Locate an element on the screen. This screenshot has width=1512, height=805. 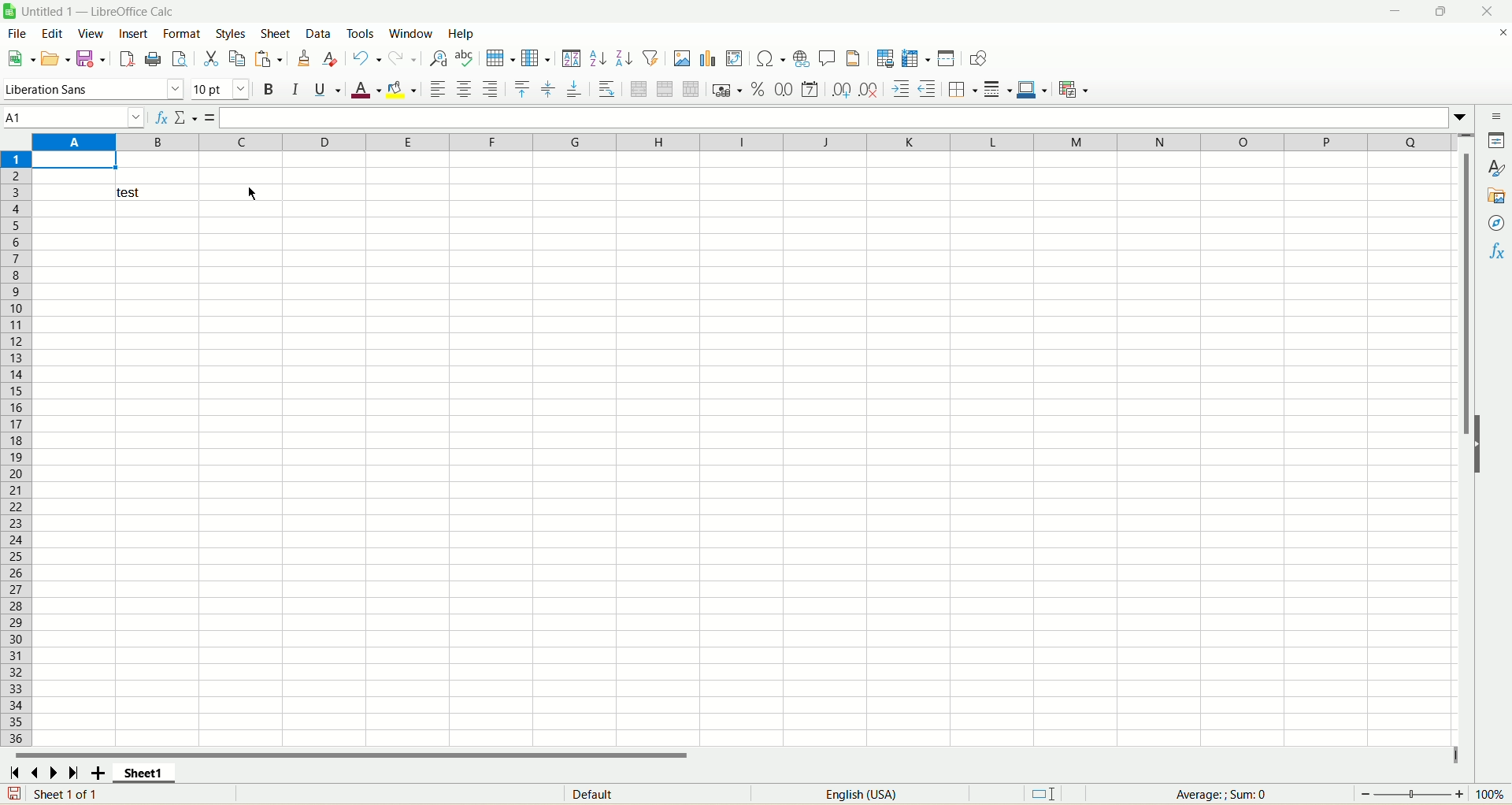
center vertically is located at coordinates (548, 89).